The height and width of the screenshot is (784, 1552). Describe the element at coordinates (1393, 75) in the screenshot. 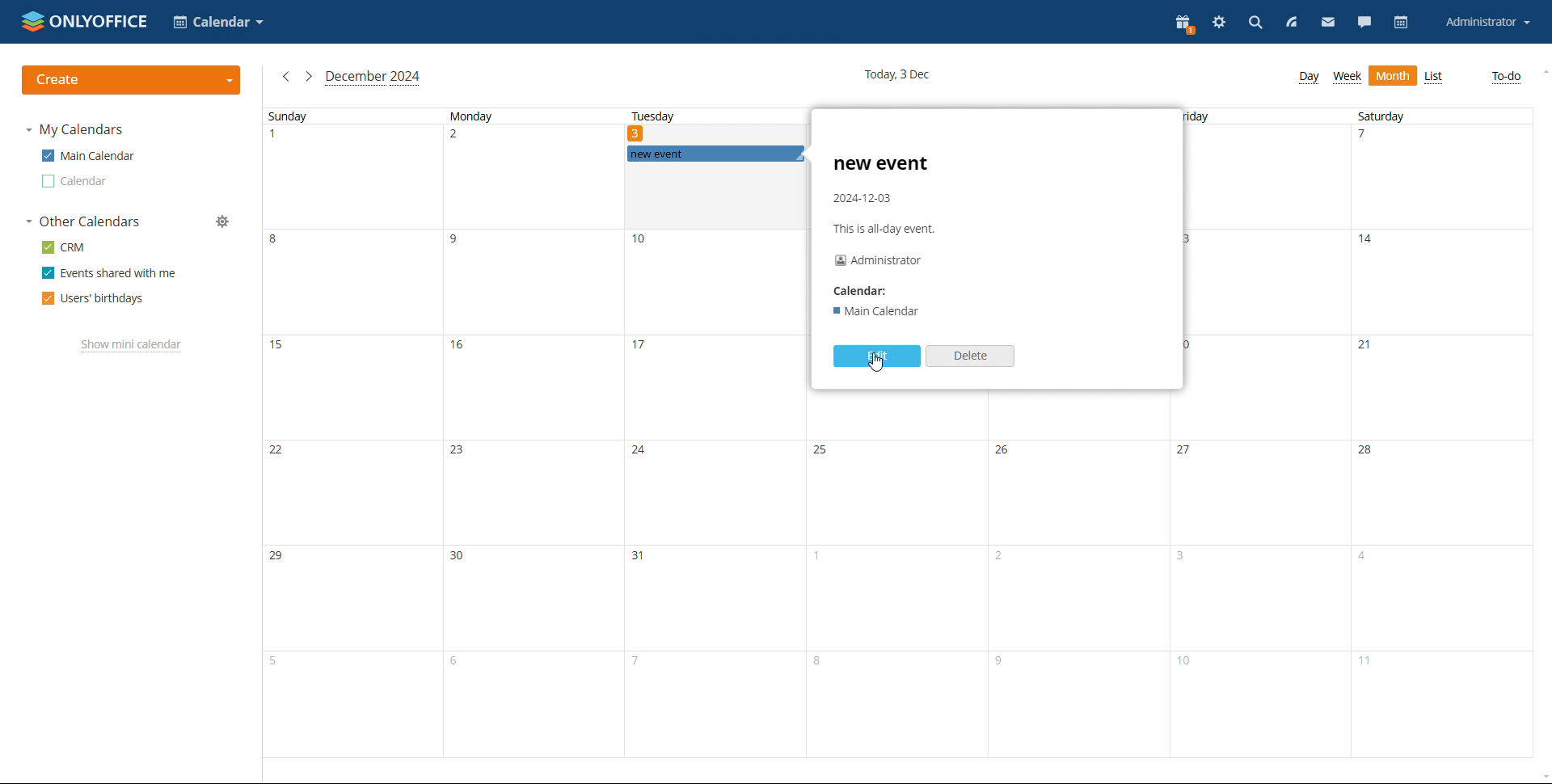

I see `month view` at that location.